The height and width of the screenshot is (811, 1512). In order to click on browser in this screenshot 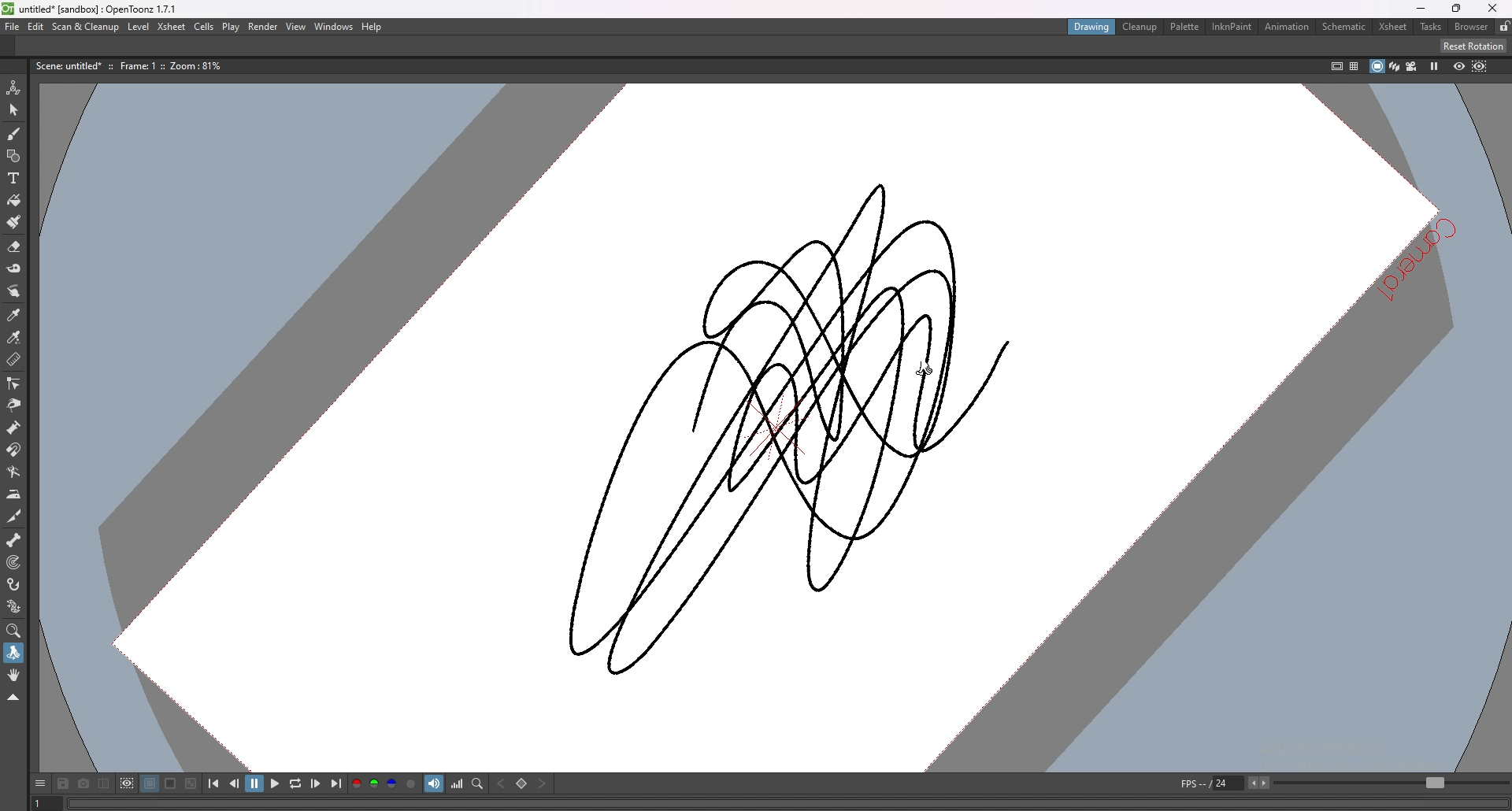, I will do `click(1472, 26)`.